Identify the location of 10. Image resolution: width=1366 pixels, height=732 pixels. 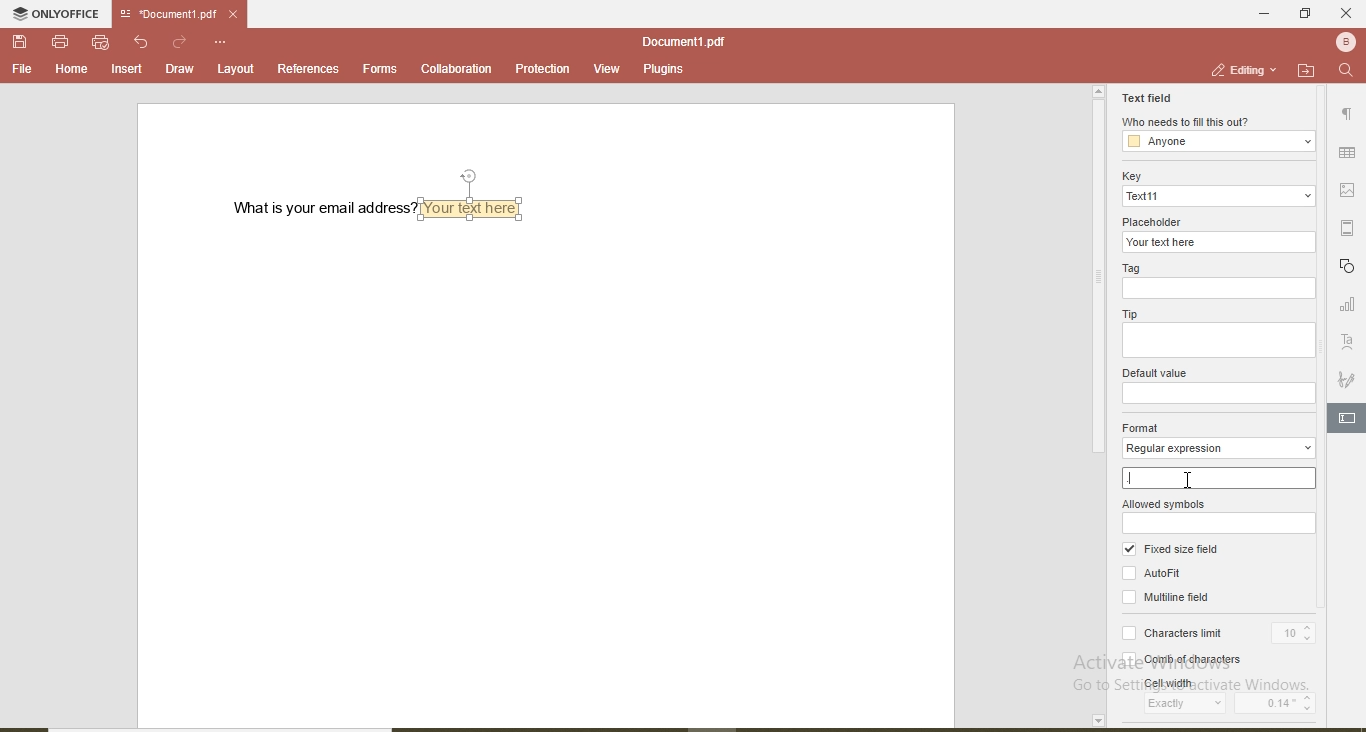
(1294, 630).